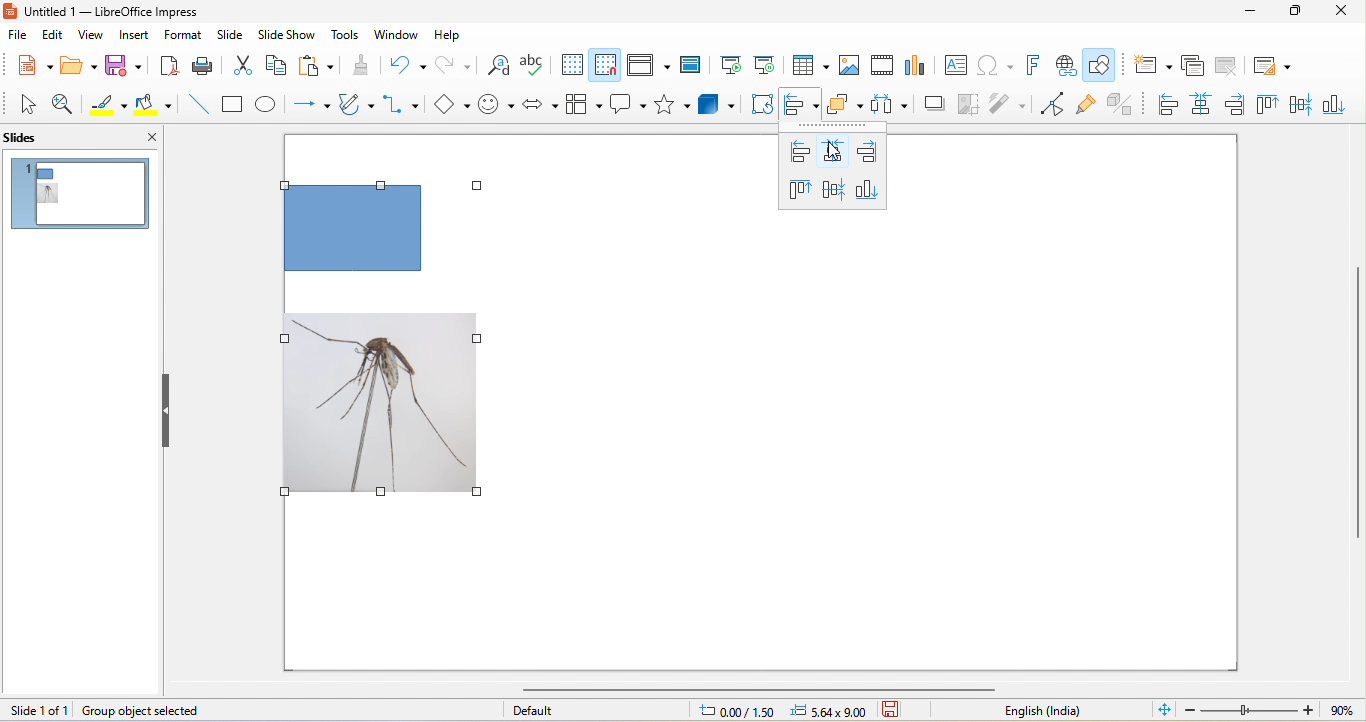 This screenshot has height=722, width=1366. What do you see at coordinates (1108, 65) in the screenshot?
I see `show draw function` at bounding box center [1108, 65].